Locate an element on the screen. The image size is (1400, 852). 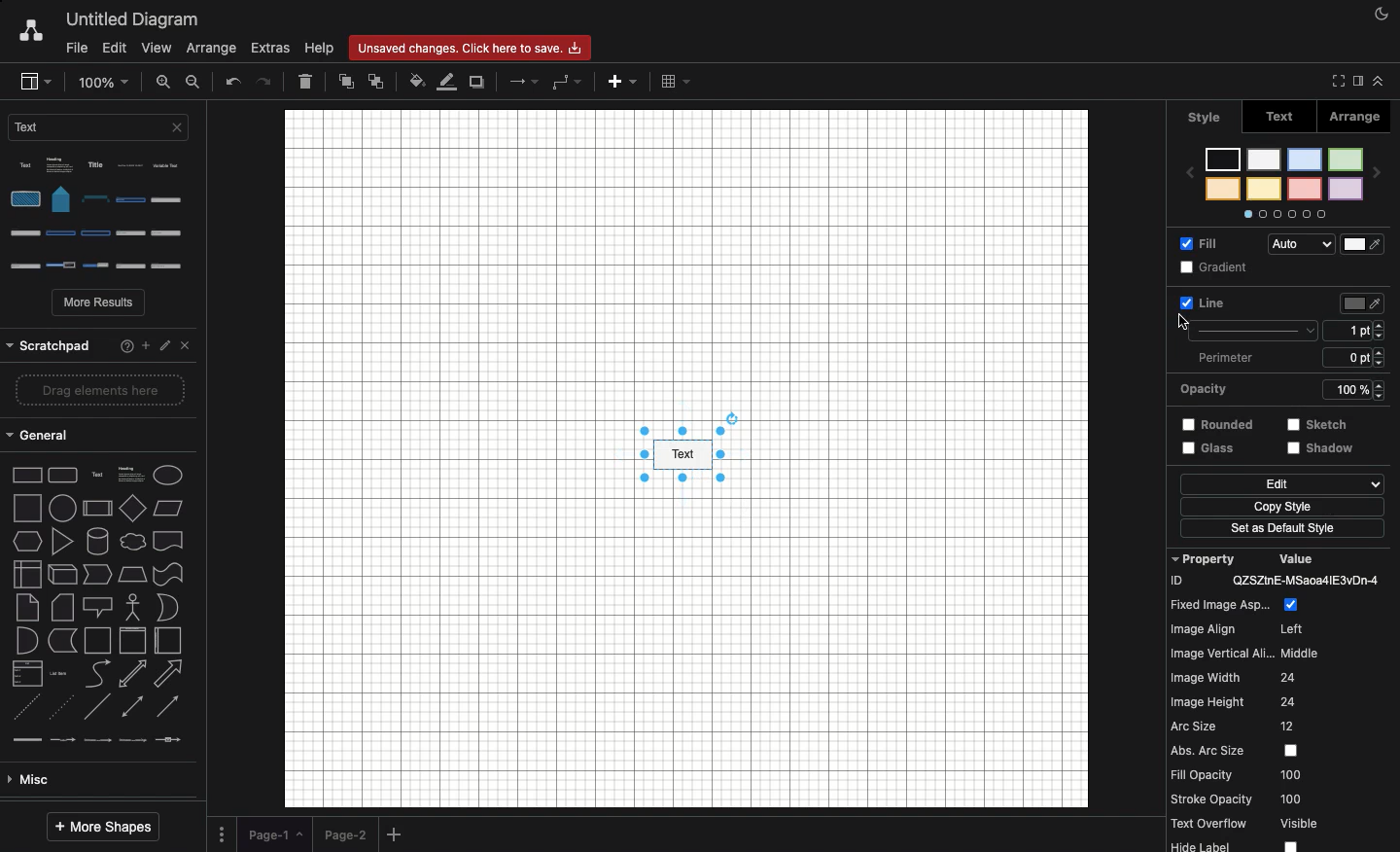
Arrow is located at coordinates (525, 81).